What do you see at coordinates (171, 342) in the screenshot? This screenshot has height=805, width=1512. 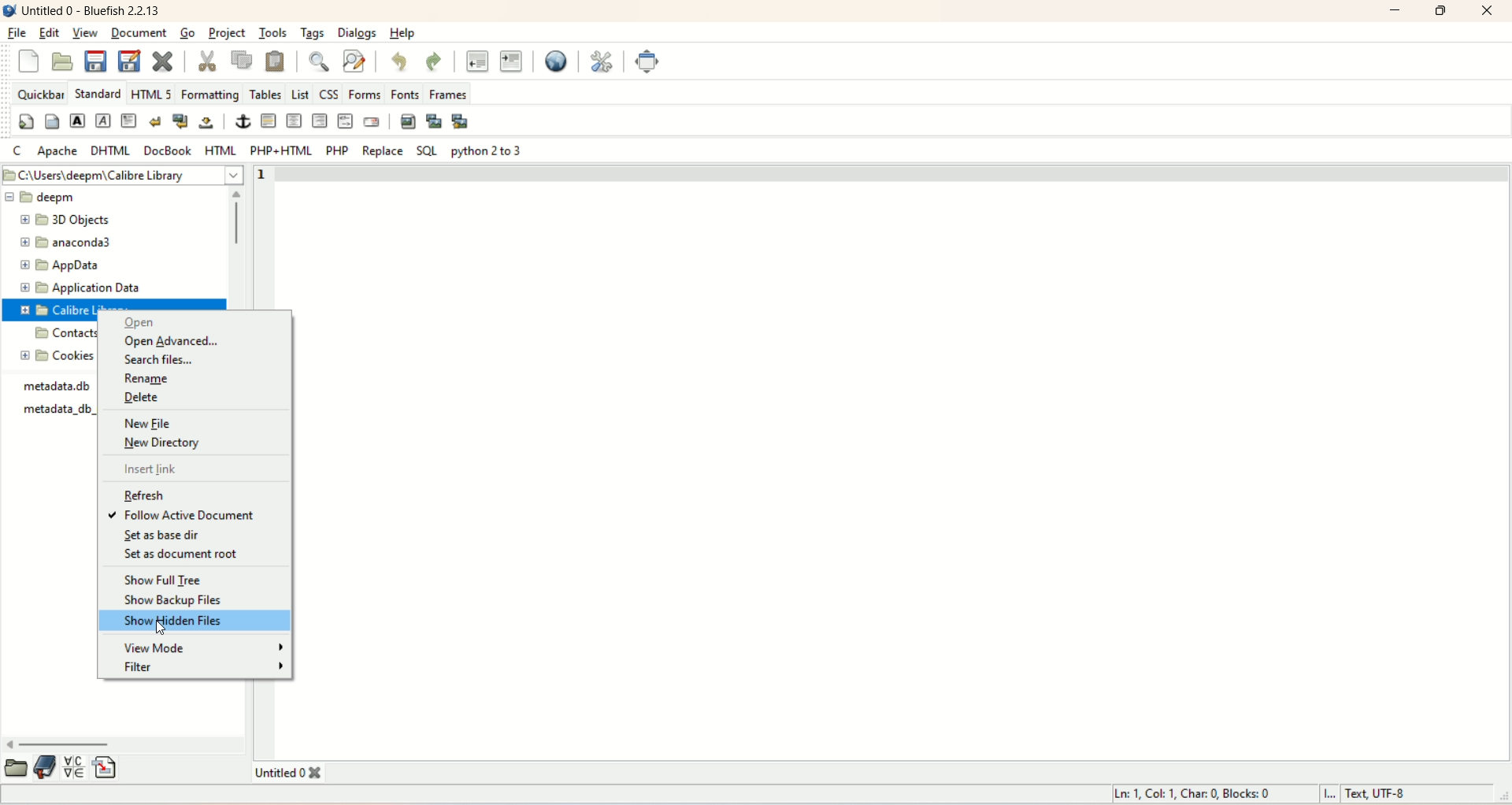 I see `open advanced` at bounding box center [171, 342].